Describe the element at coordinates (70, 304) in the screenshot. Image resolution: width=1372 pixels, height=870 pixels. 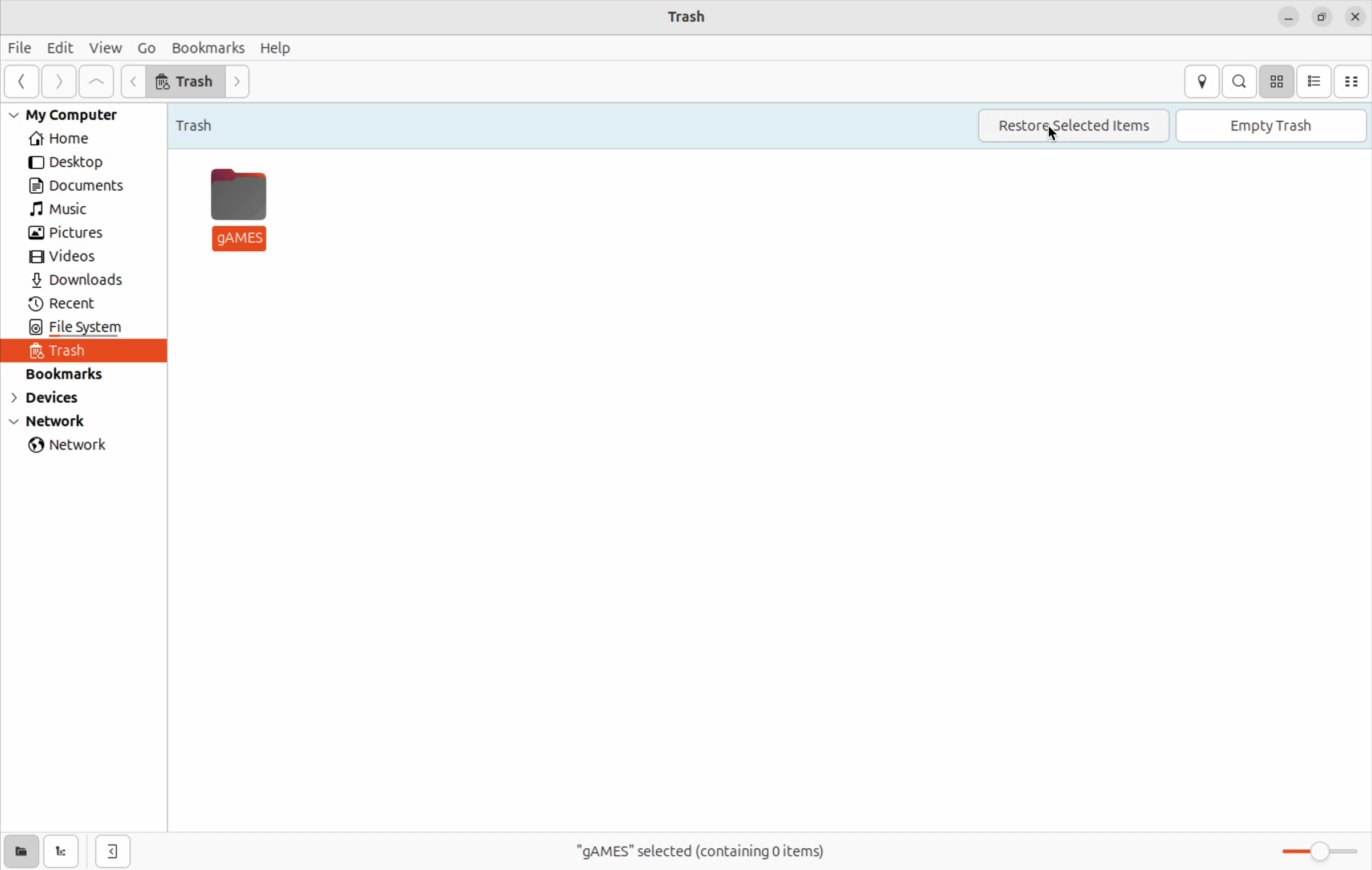
I see `recent` at that location.